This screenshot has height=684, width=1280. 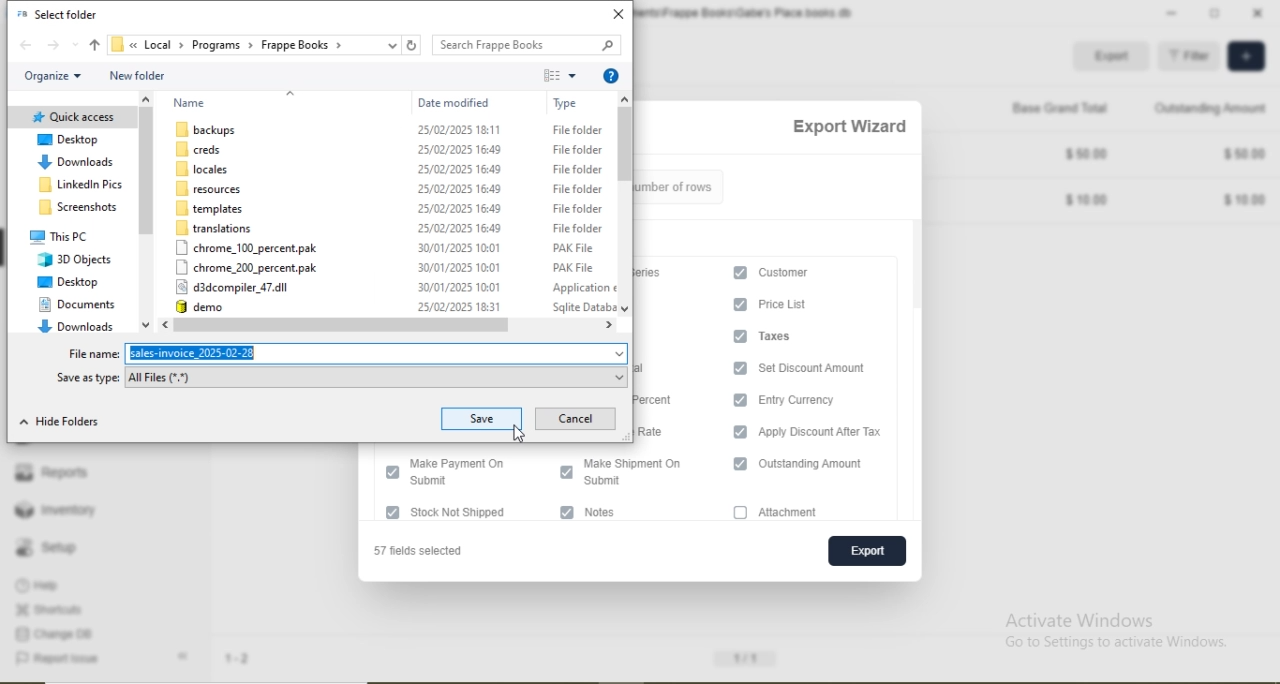 What do you see at coordinates (239, 288) in the screenshot?
I see `d3dcompiler 47 dll` at bounding box center [239, 288].